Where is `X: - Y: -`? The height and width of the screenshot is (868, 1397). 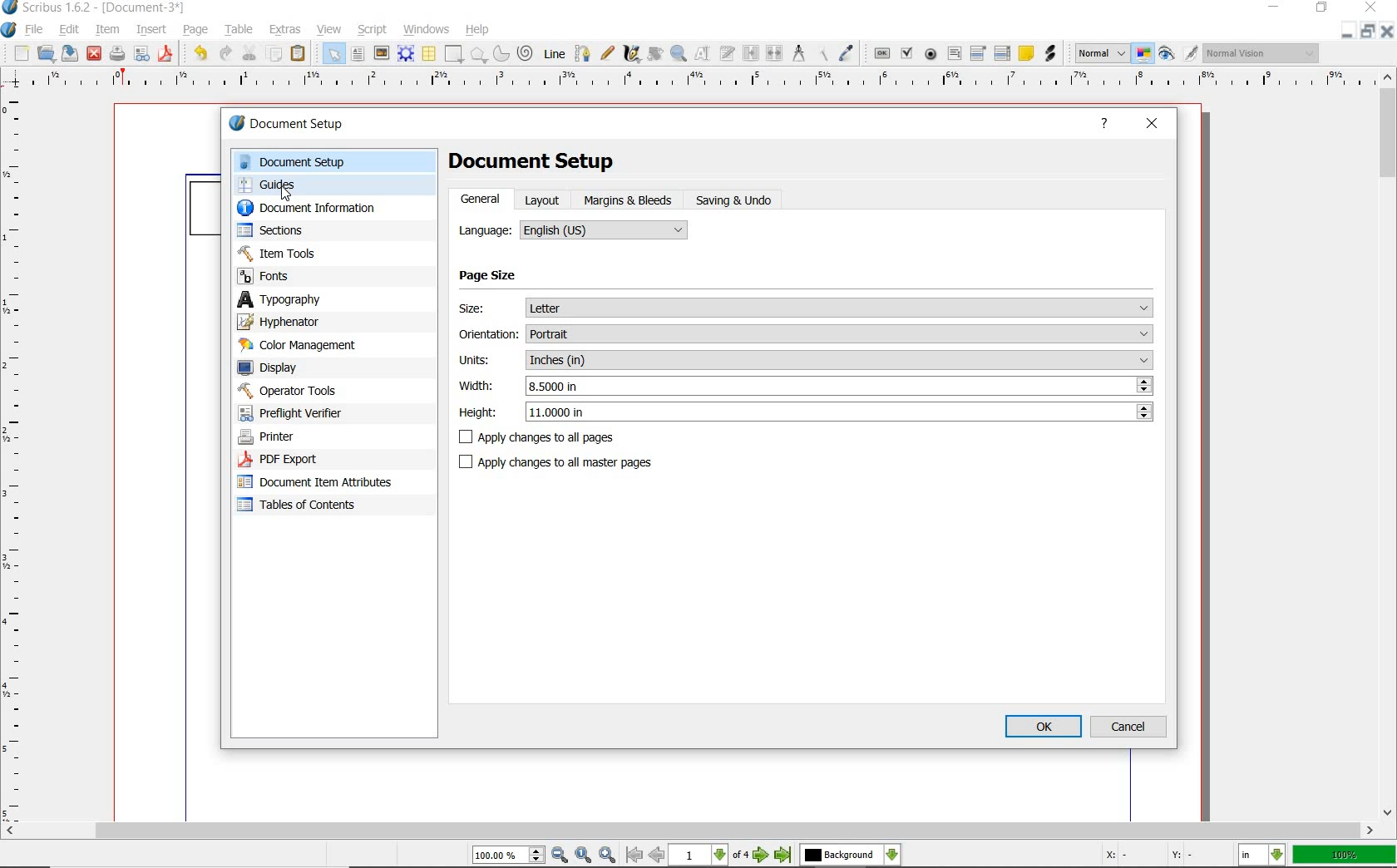
X: - Y: - is located at coordinates (1146, 855).